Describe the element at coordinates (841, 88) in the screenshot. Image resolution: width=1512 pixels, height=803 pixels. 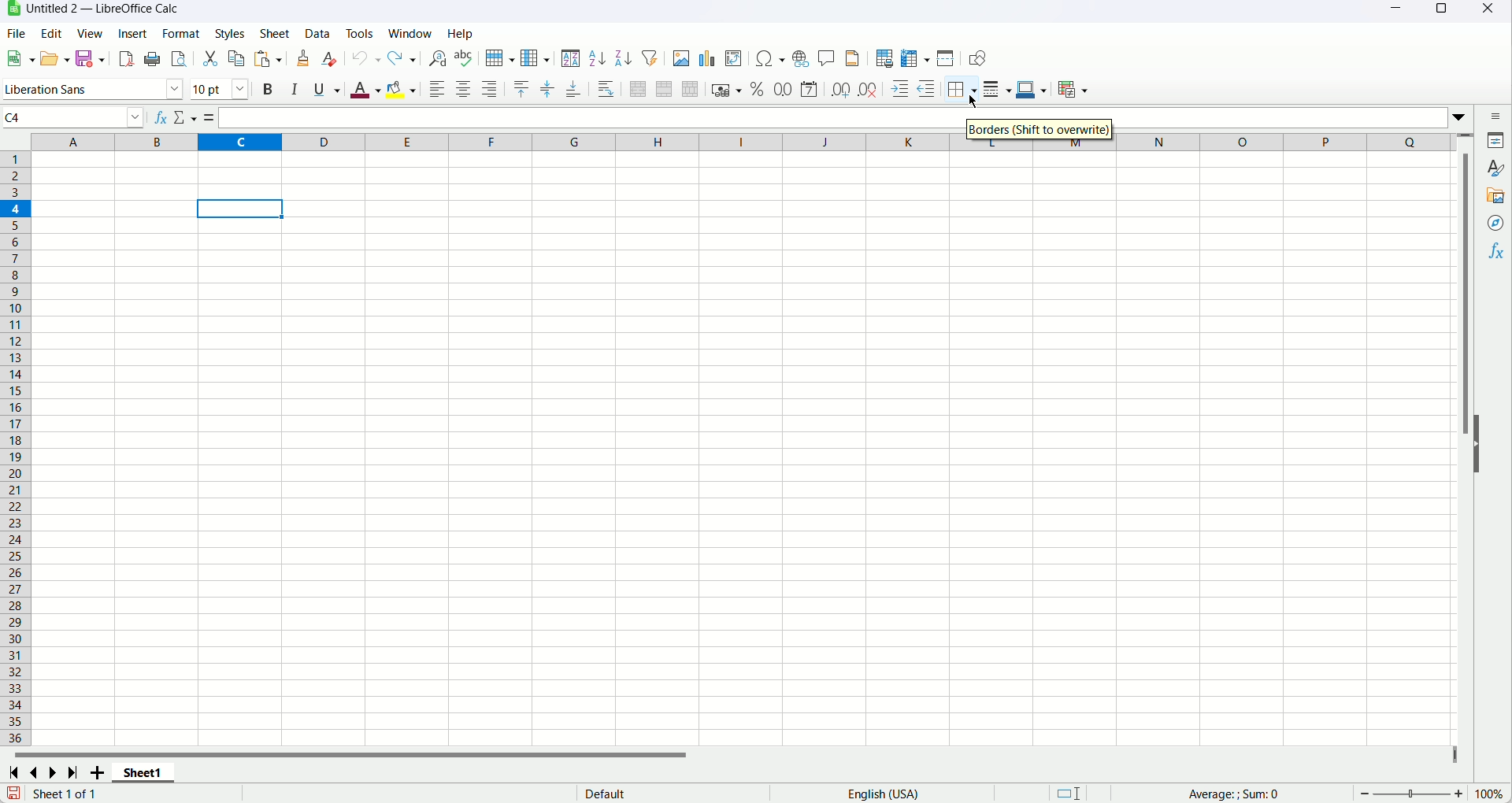
I see `Add decimal` at that location.